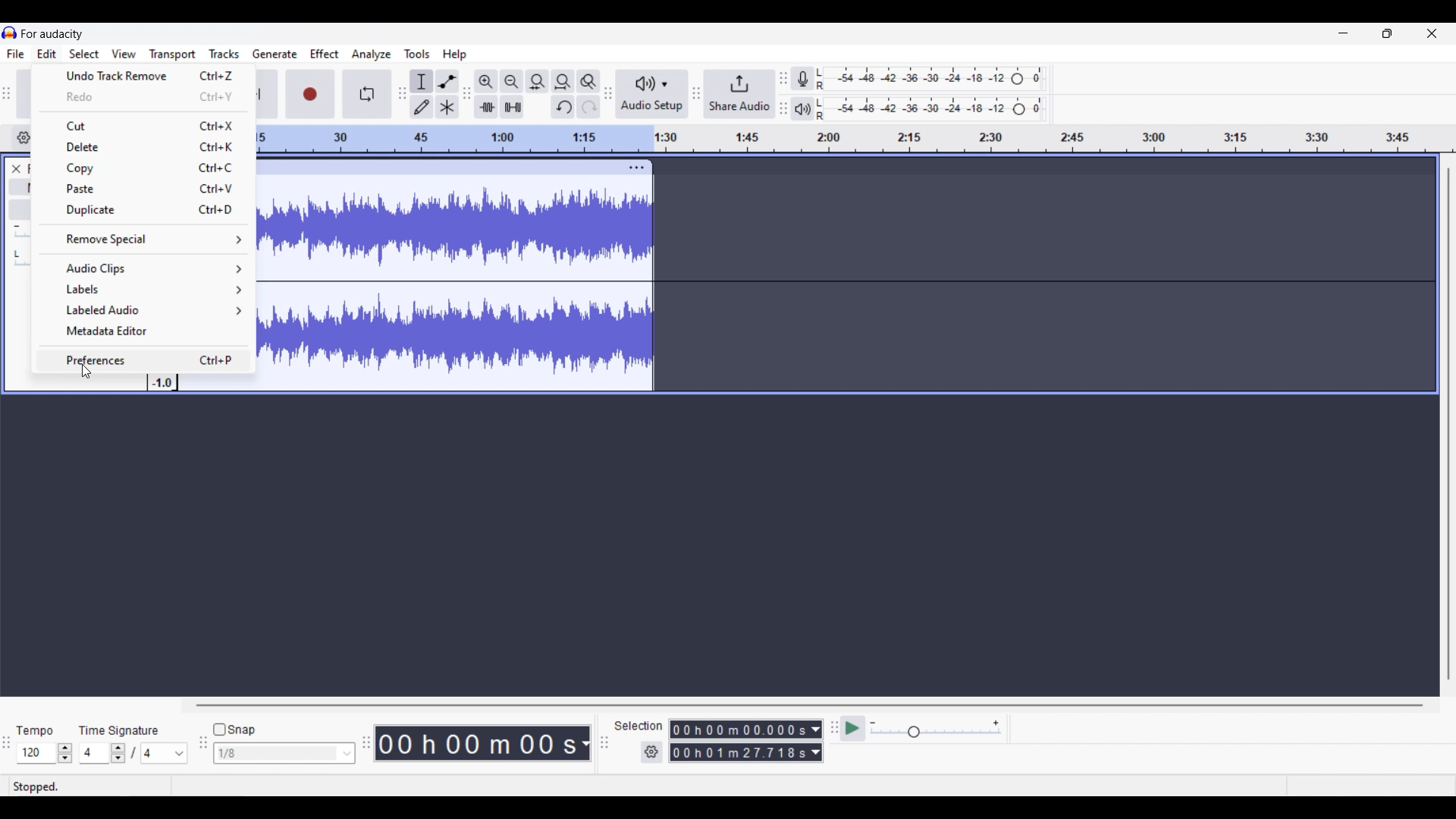 The image size is (1456, 819). What do you see at coordinates (35, 731) in the screenshot?
I see `tempo` at bounding box center [35, 731].